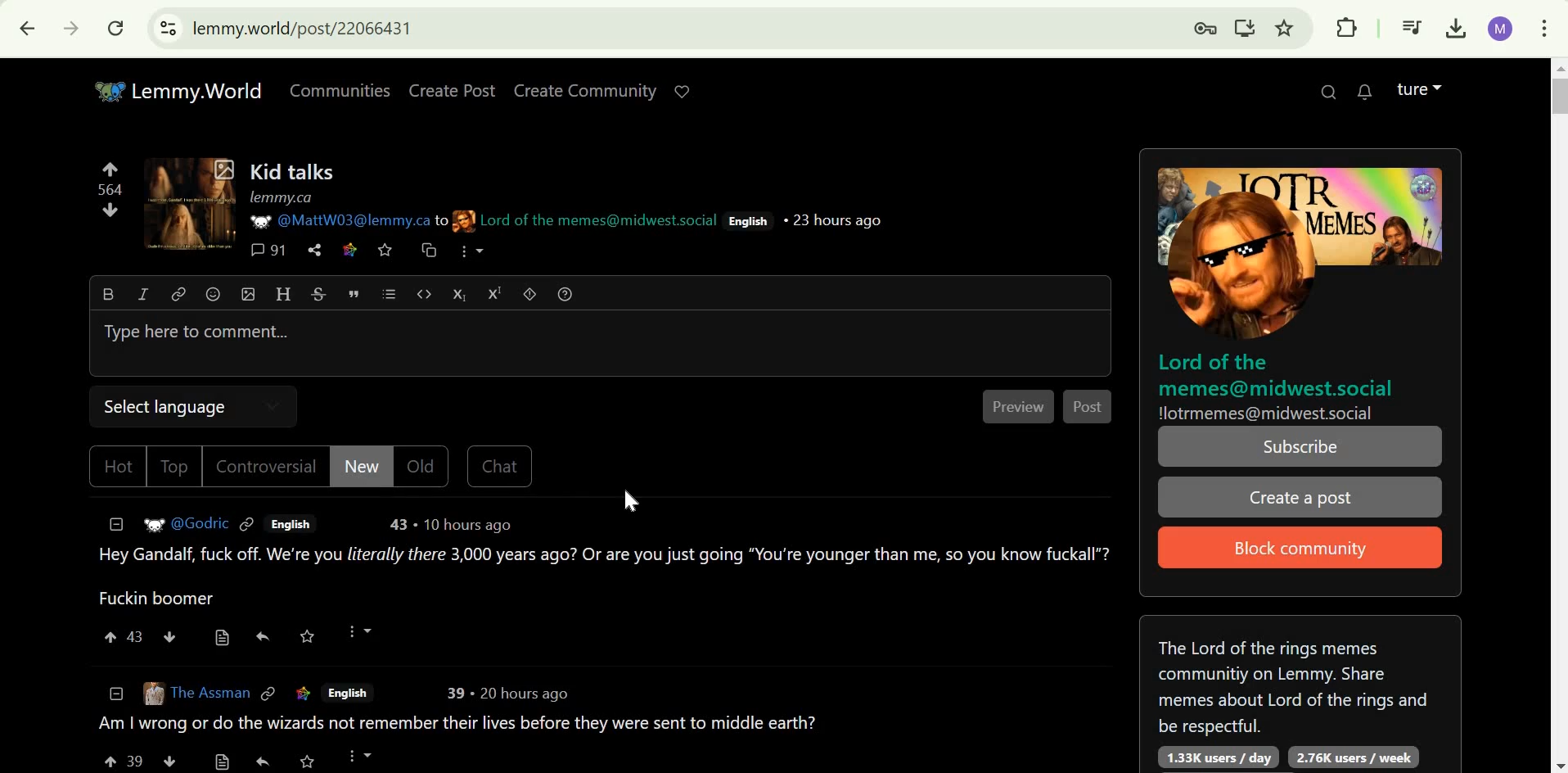  Describe the element at coordinates (212, 293) in the screenshot. I see `emoji` at that location.